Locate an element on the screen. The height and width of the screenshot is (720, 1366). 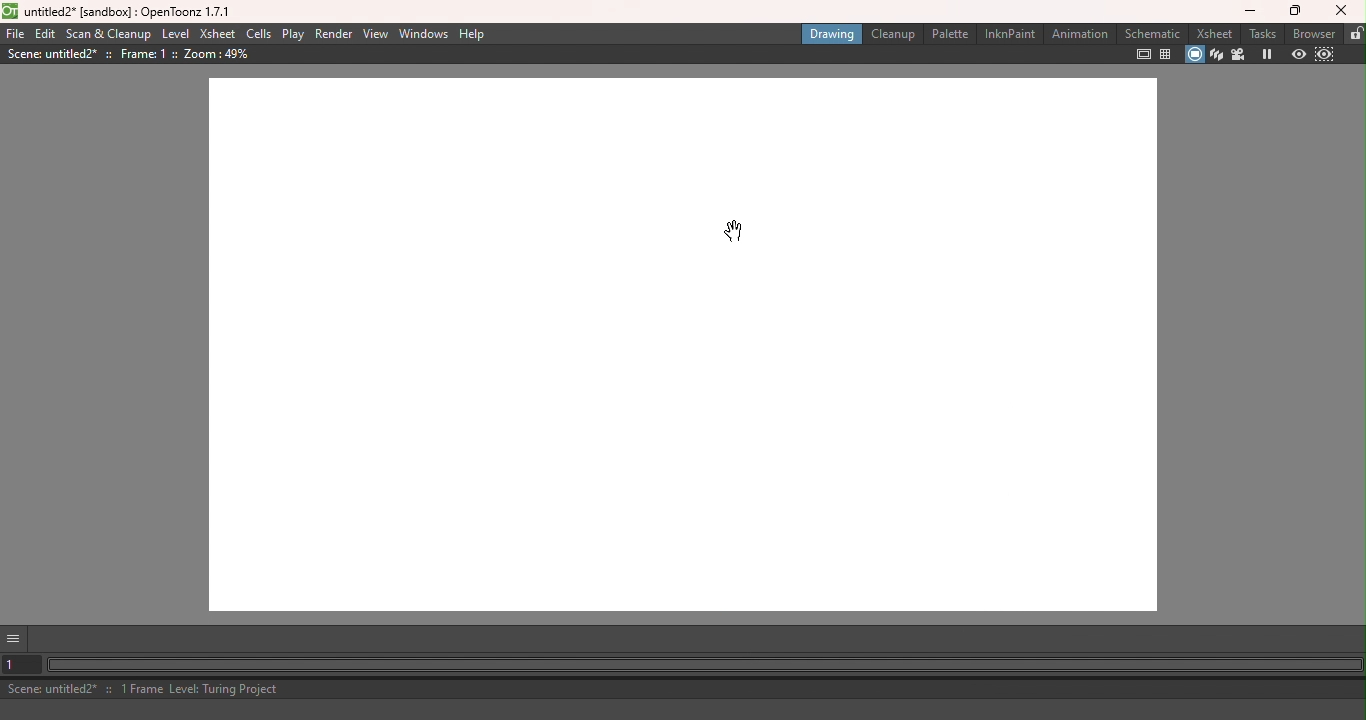
Cells is located at coordinates (259, 35).